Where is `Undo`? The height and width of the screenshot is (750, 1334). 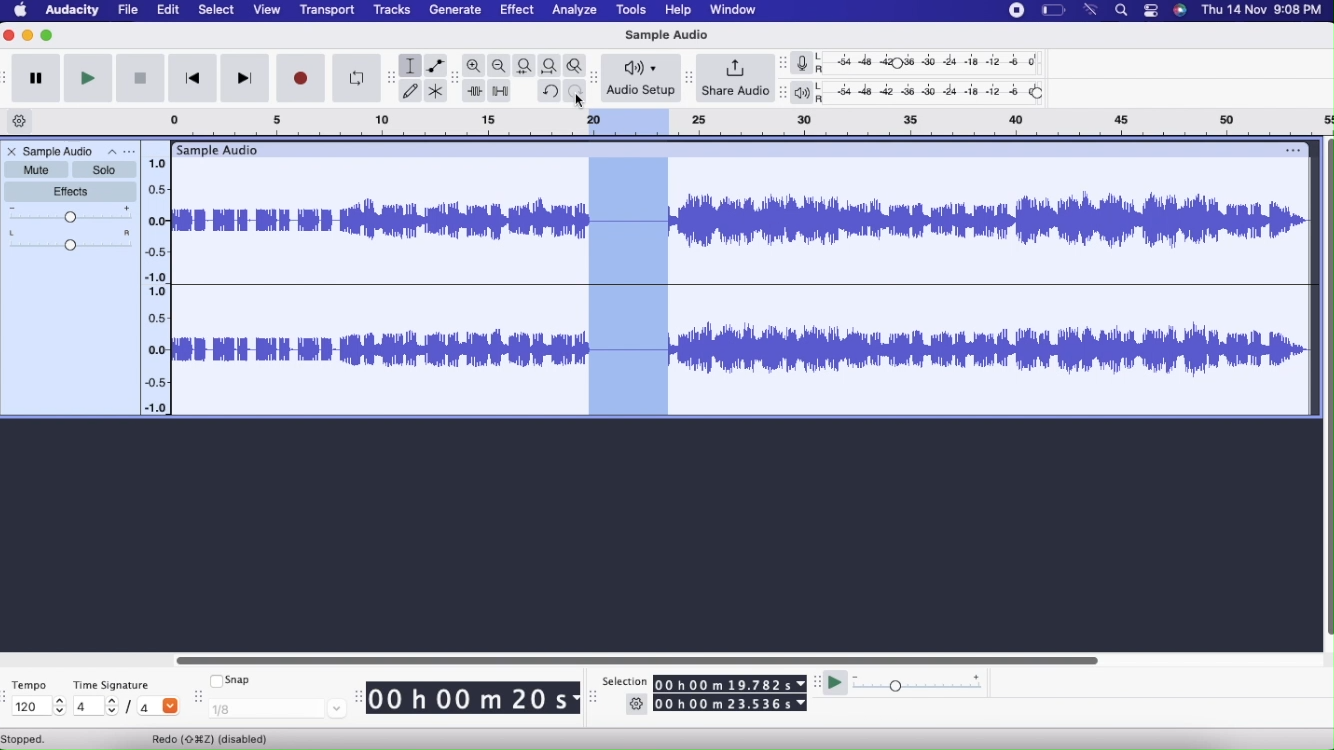
Undo is located at coordinates (549, 91).